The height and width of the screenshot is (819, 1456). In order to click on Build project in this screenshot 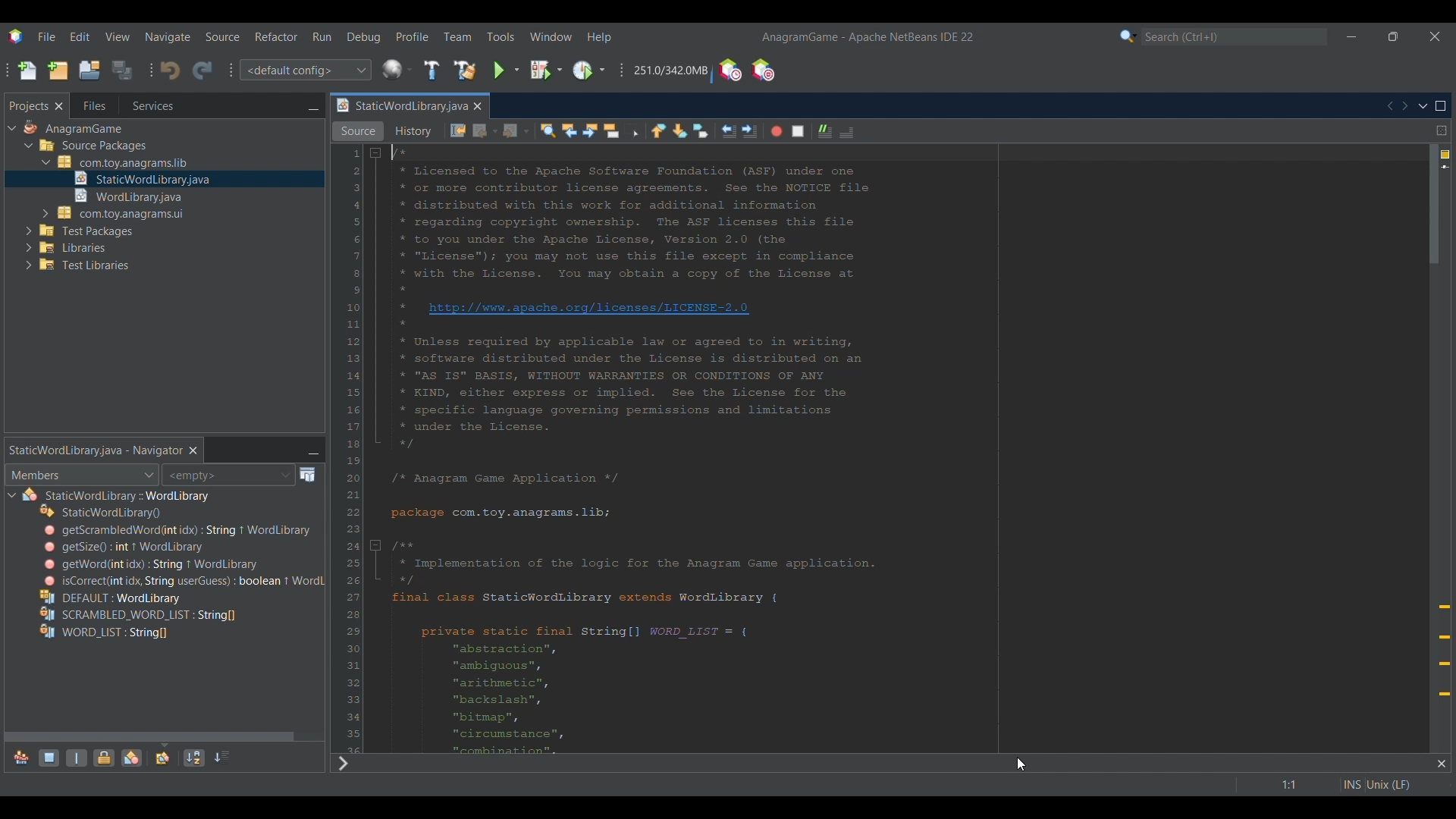, I will do `click(432, 70)`.